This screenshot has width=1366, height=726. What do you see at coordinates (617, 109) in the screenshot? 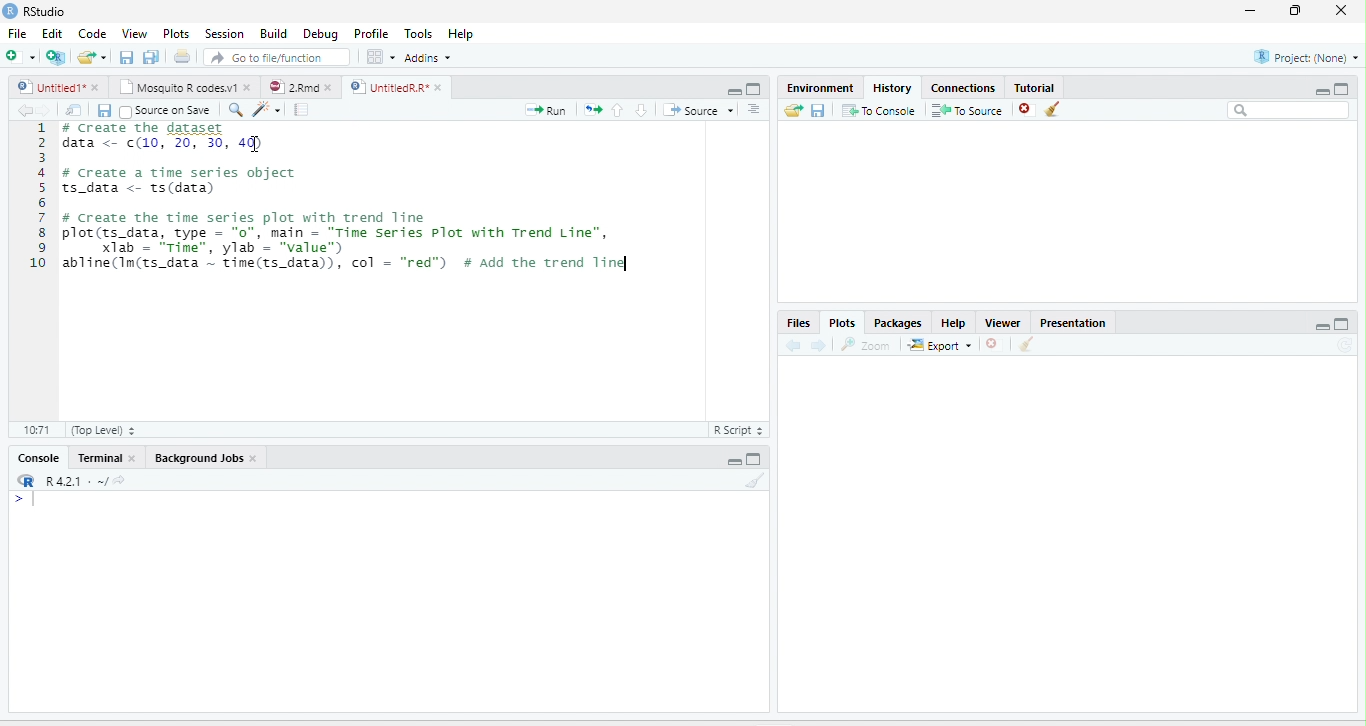
I see `Go to previous section/chunk` at bounding box center [617, 109].